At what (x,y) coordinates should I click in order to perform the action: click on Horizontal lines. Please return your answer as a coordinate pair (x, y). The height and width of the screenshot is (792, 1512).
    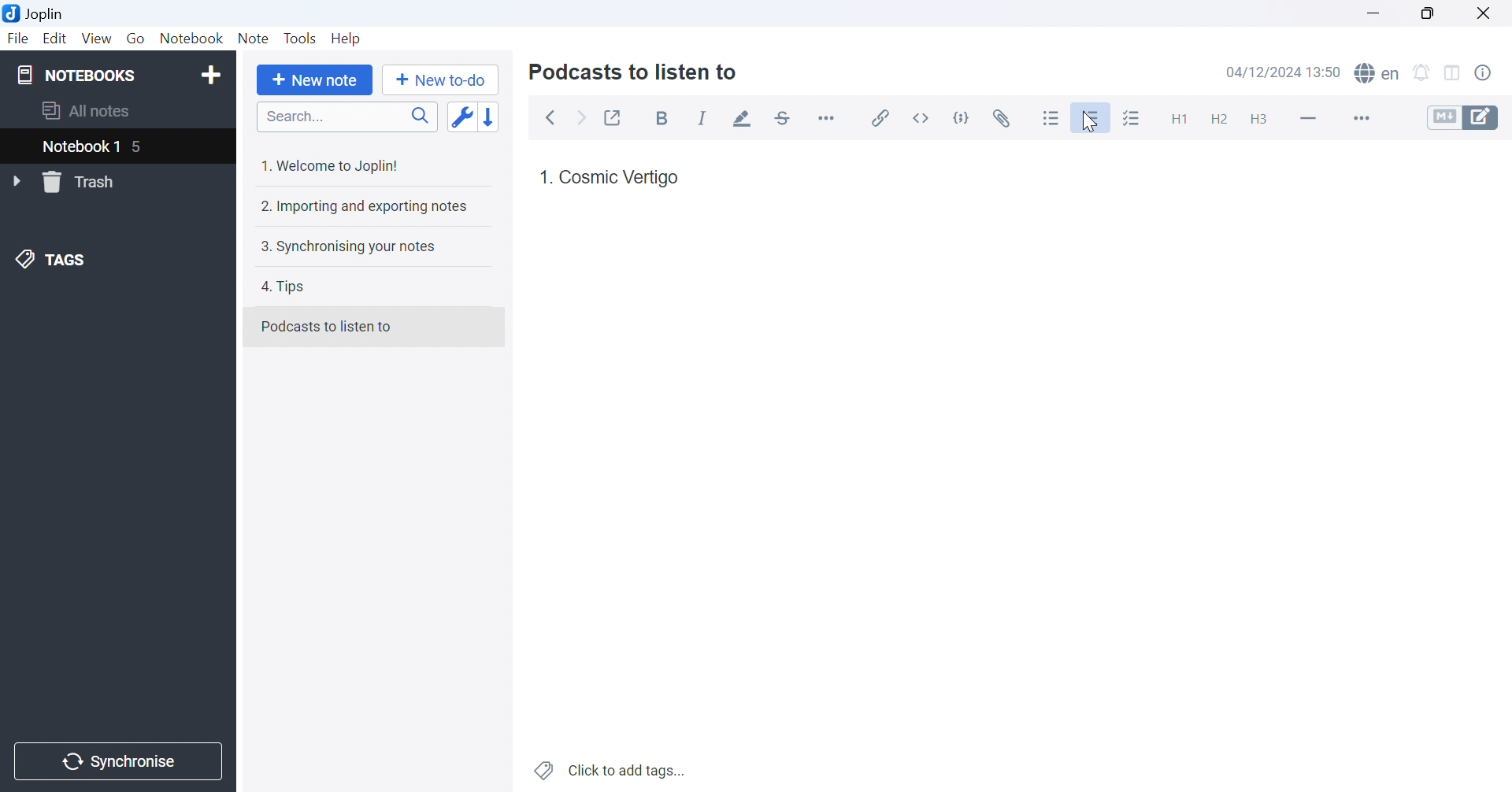
    Looking at the image, I should click on (1308, 117).